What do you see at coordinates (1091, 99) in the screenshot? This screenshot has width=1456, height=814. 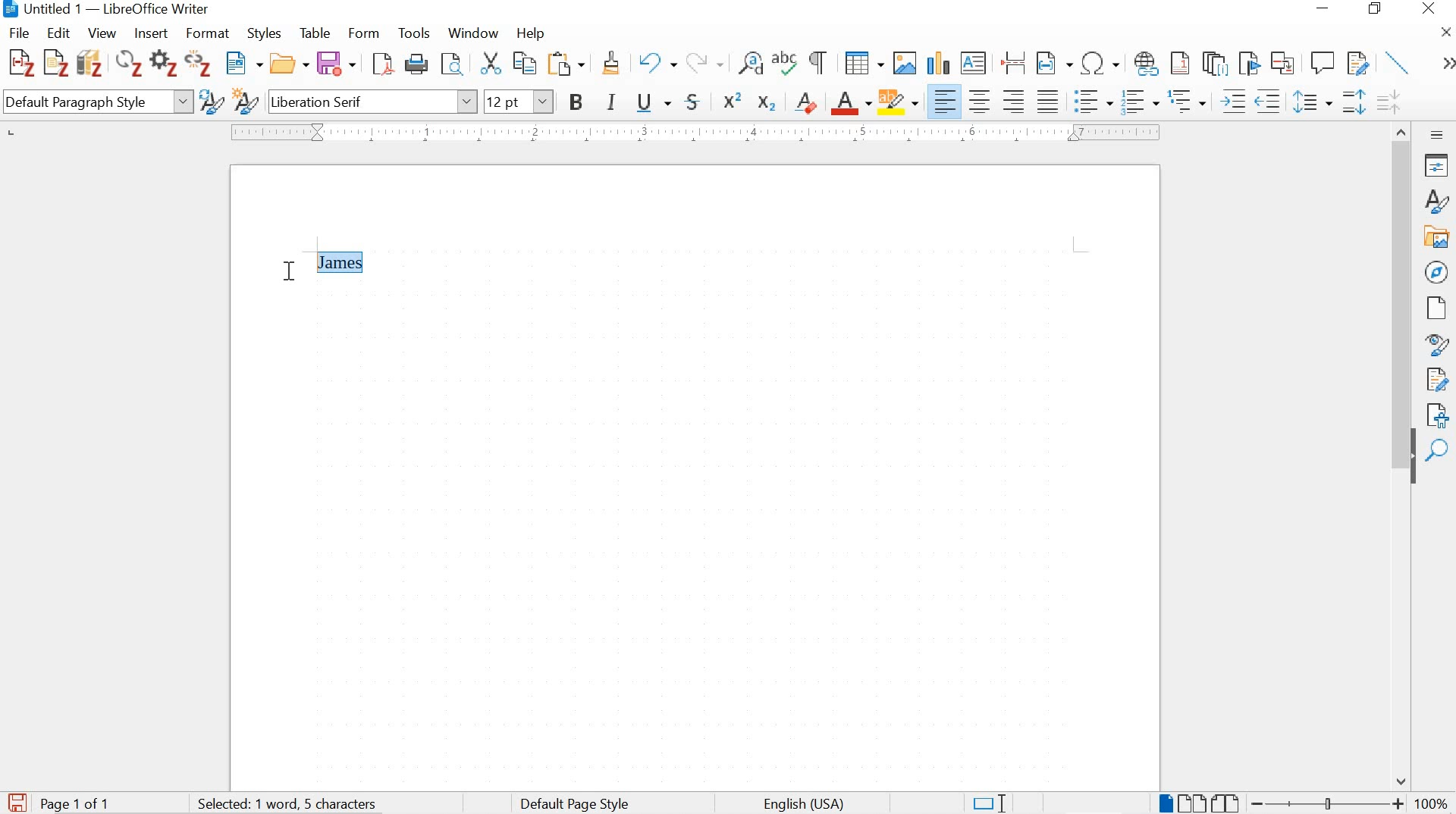 I see `Toggle unorder list` at bounding box center [1091, 99].